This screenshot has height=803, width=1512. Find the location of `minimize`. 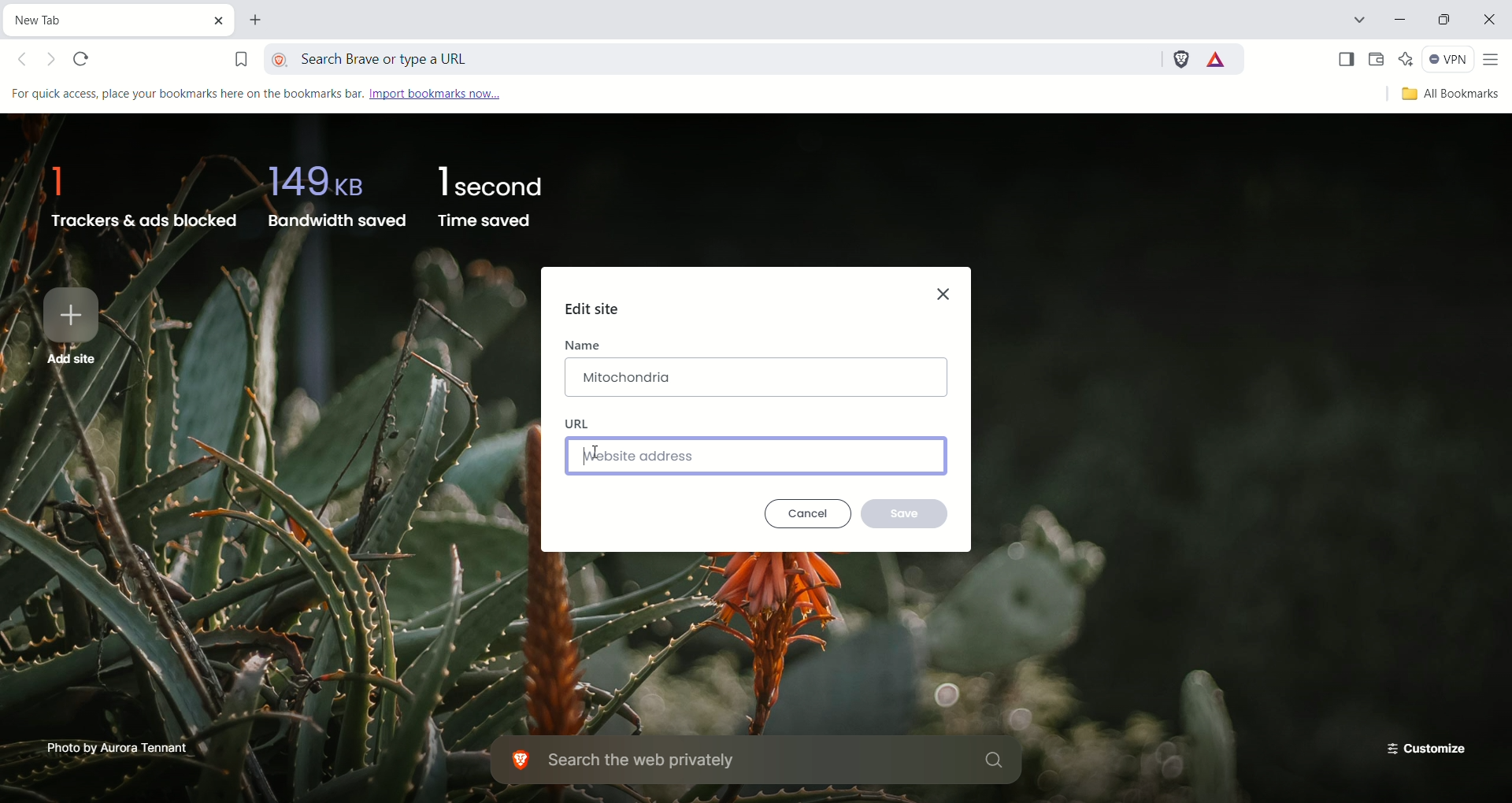

minimize is located at coordinates (1403, 21).